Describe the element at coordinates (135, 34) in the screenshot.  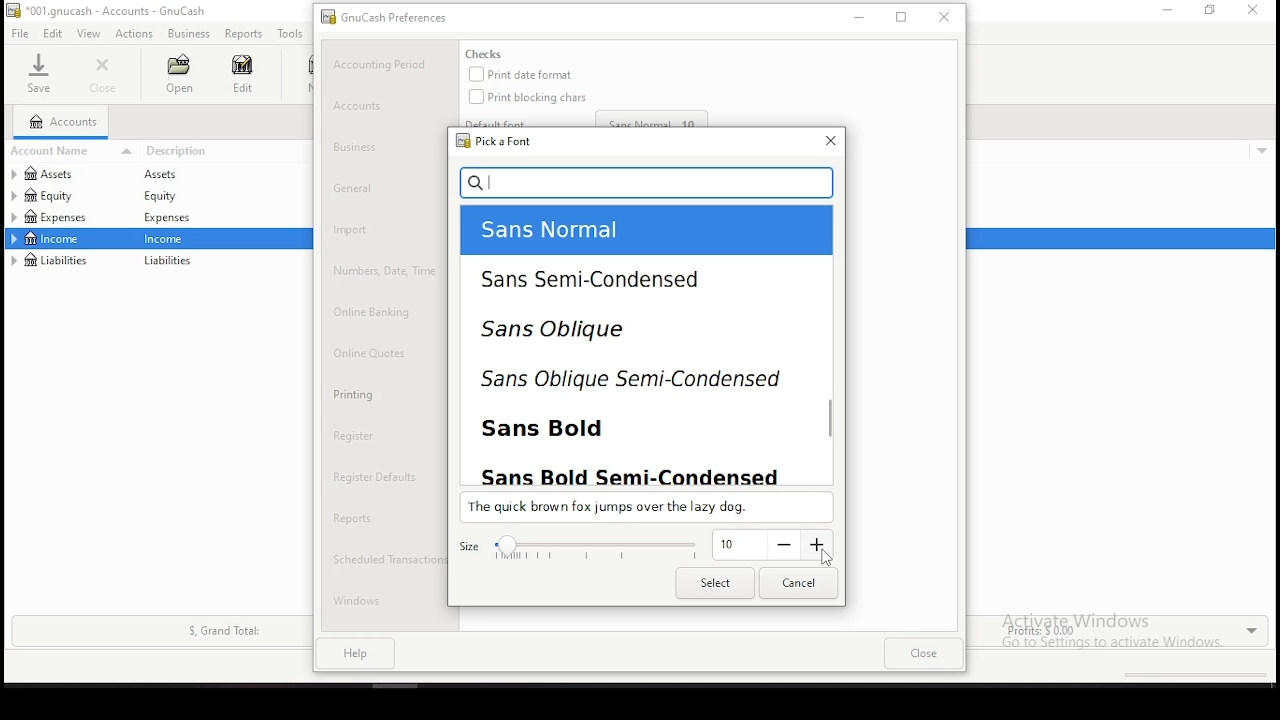
I see `actions` at that location.